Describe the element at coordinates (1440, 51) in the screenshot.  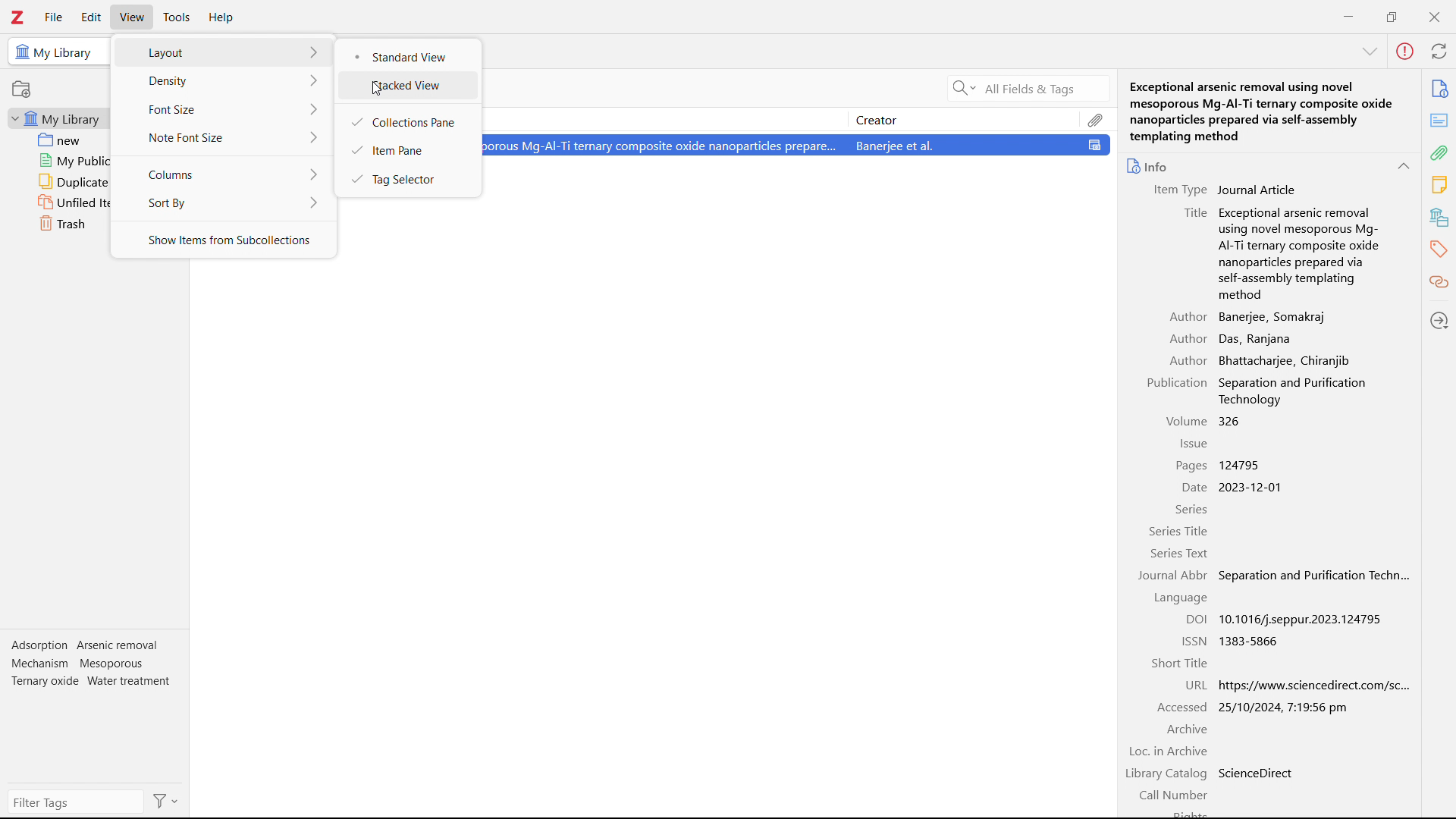
I see `sync with zotero.org` at that location.